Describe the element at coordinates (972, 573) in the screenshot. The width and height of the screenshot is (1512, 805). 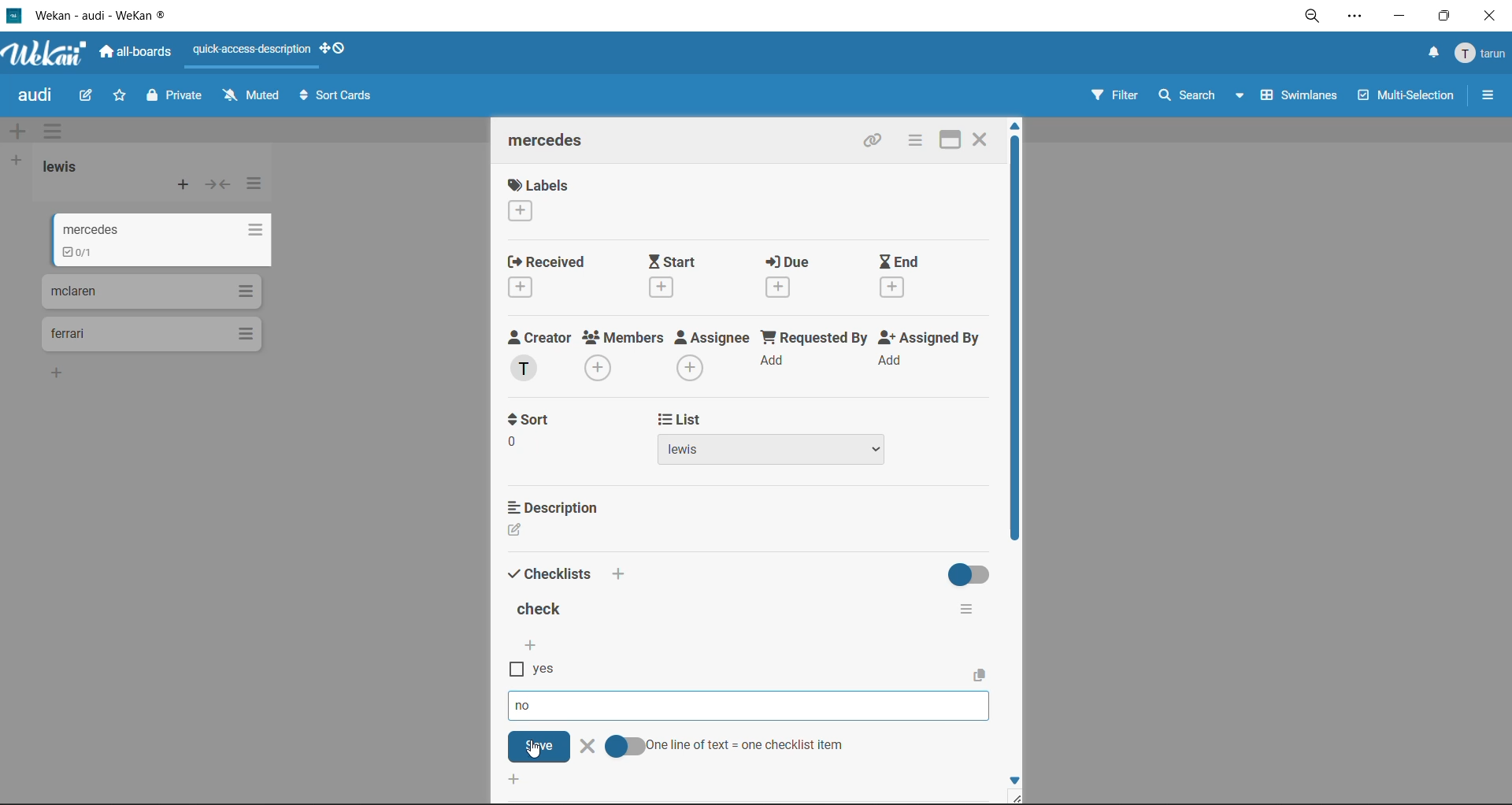
I see `hide completed checklist` at that location.